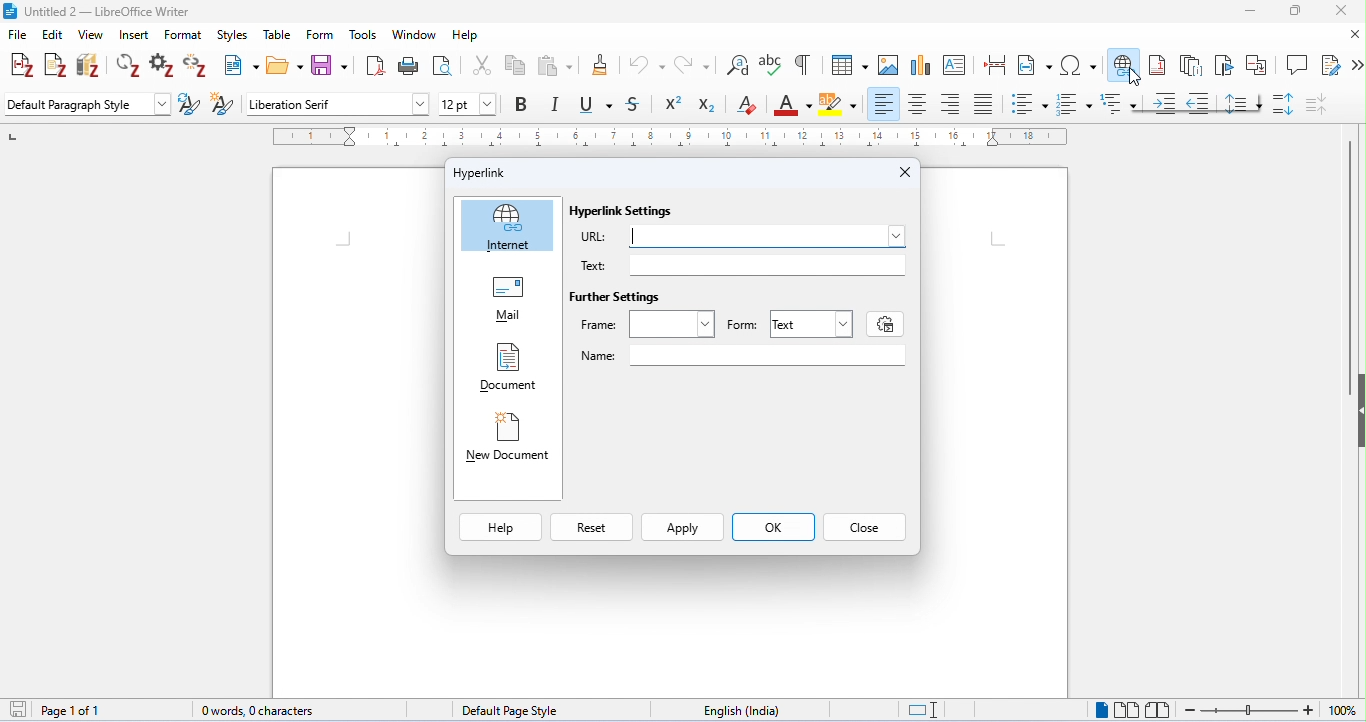 This screenshot has height=722, width=1366. I want to click on title, so click(98, 12).